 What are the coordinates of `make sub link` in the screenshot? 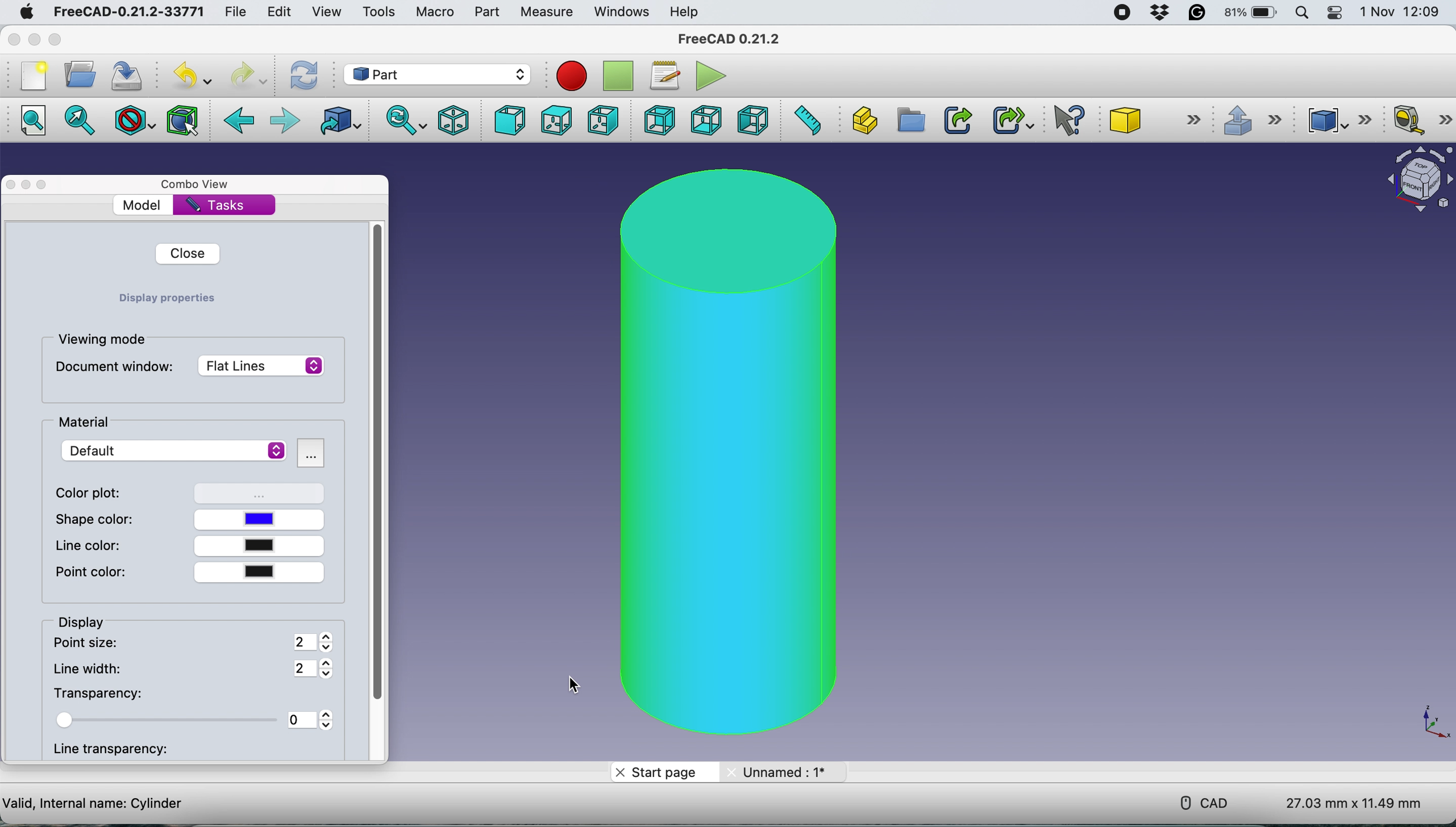 It's located at (1009, 119).